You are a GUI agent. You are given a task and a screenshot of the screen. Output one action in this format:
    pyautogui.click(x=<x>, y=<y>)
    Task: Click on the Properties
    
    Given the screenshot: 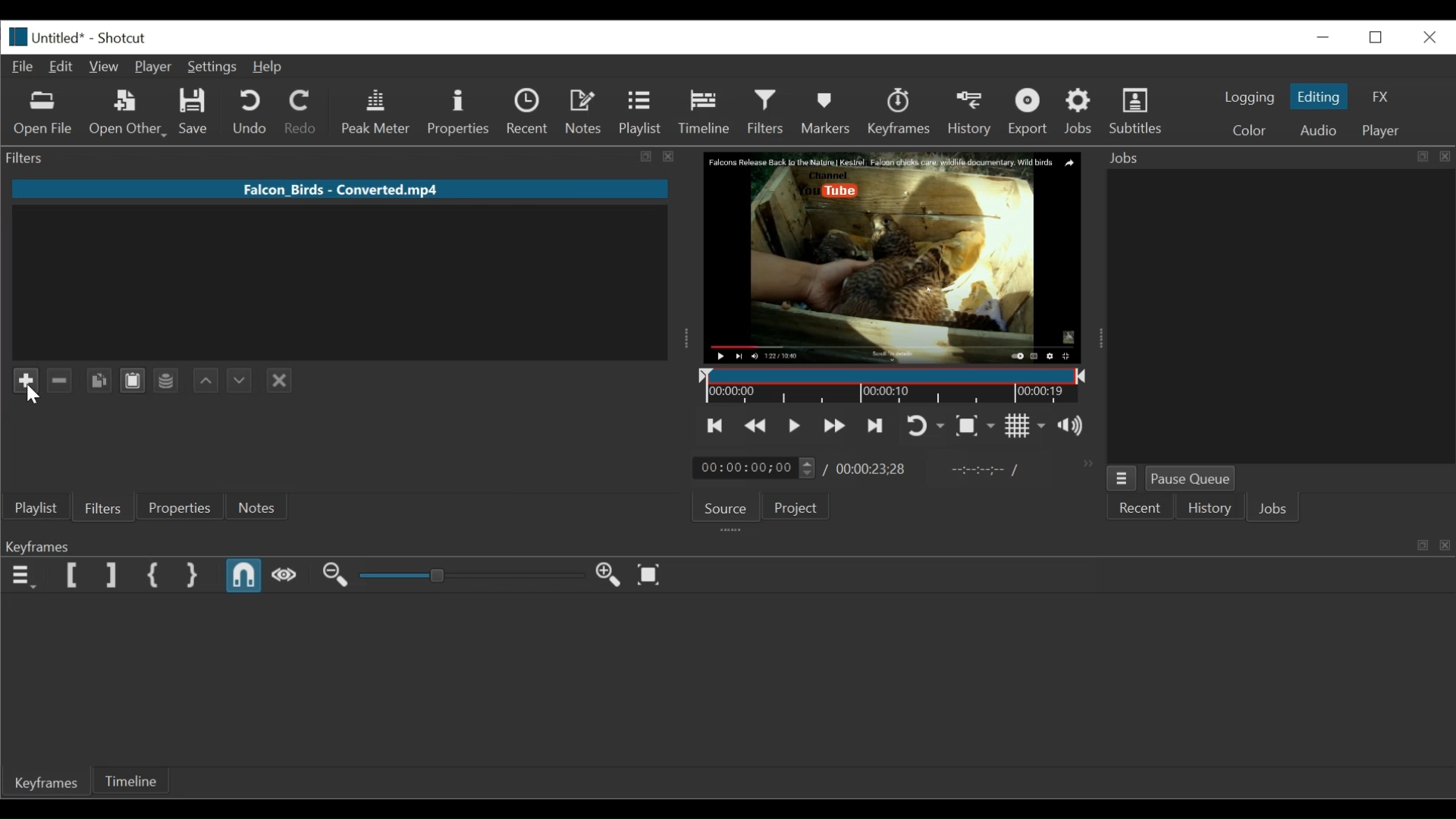 What is the action you would take?
    pyautogui.click(x=183, y=507)
    